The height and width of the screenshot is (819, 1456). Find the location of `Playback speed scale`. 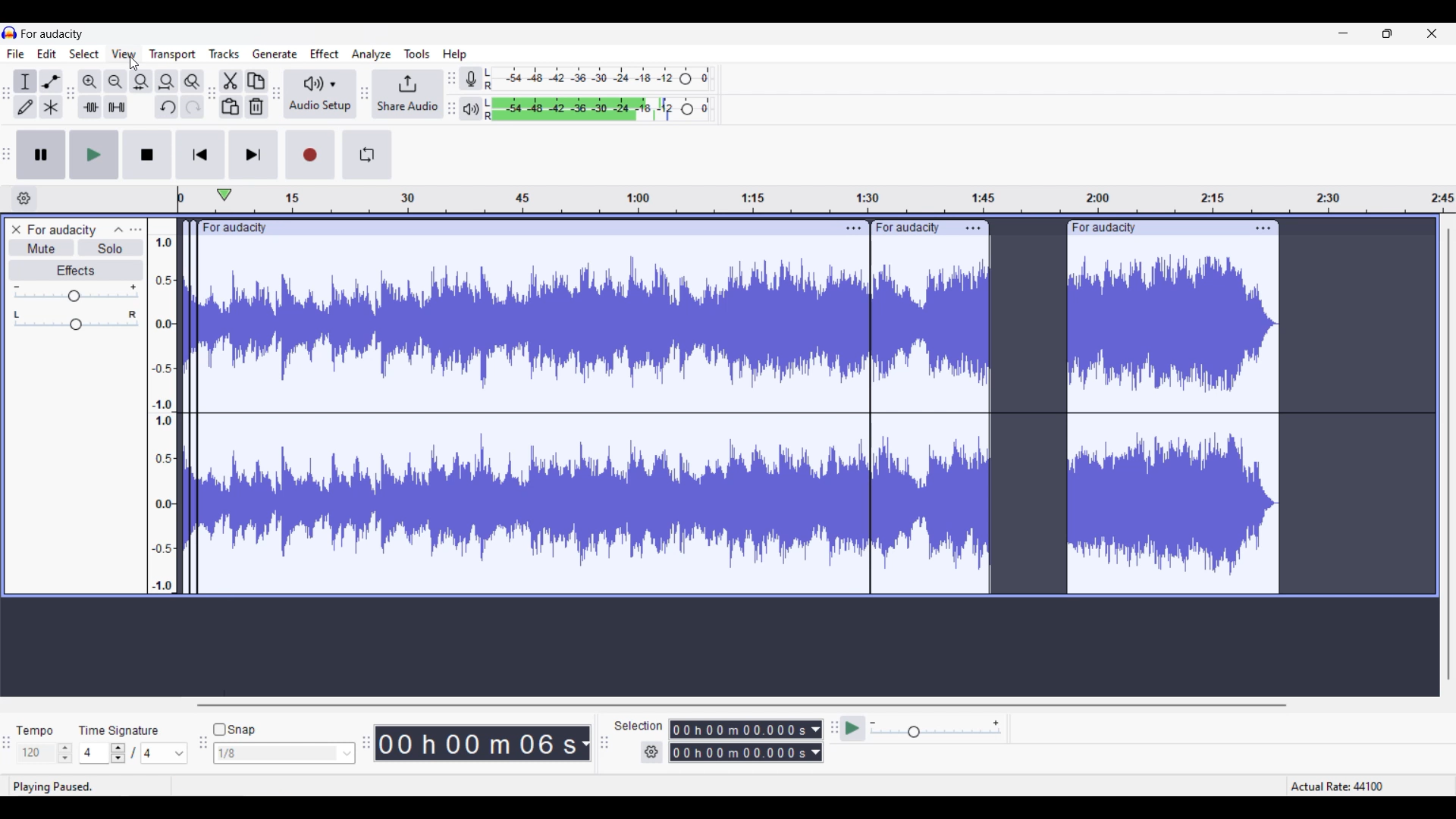

Playback speed scale is located at coordinates (937, 730).